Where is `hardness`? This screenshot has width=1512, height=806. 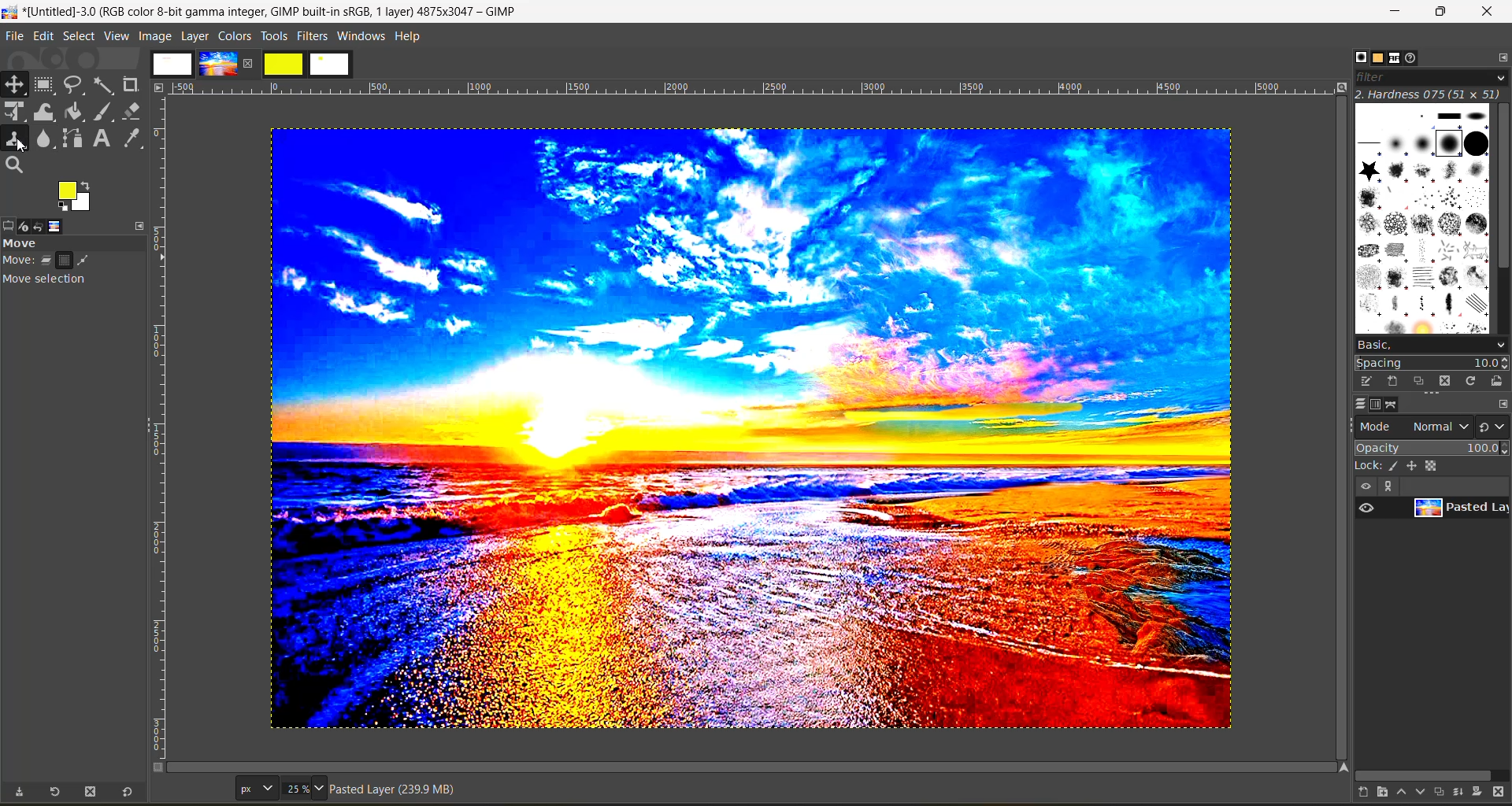
hardness is located at coordinates (1429, 94).